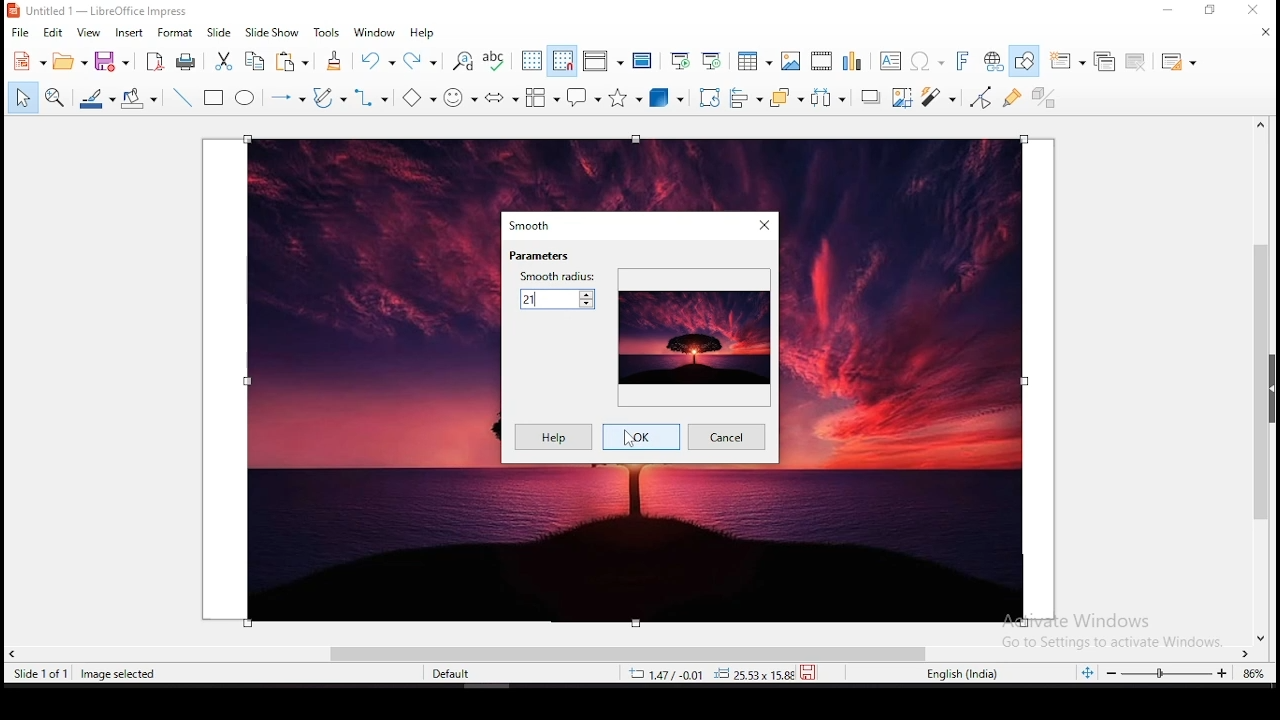  Describe the element at coordinates (641, 60) in the screenshot. I see `master slide` at that location.